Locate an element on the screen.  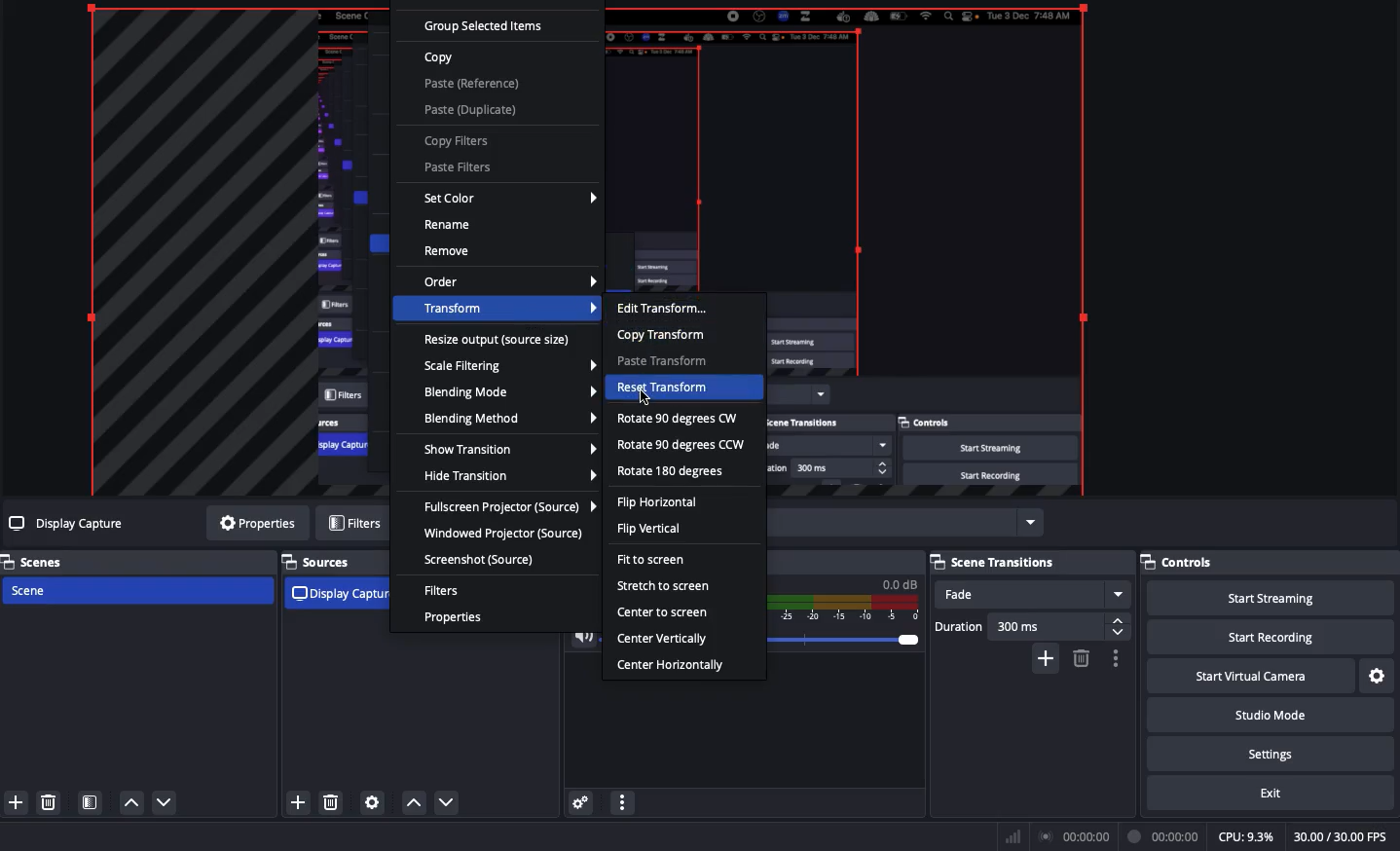
move down is located at coordinates (449, 804).